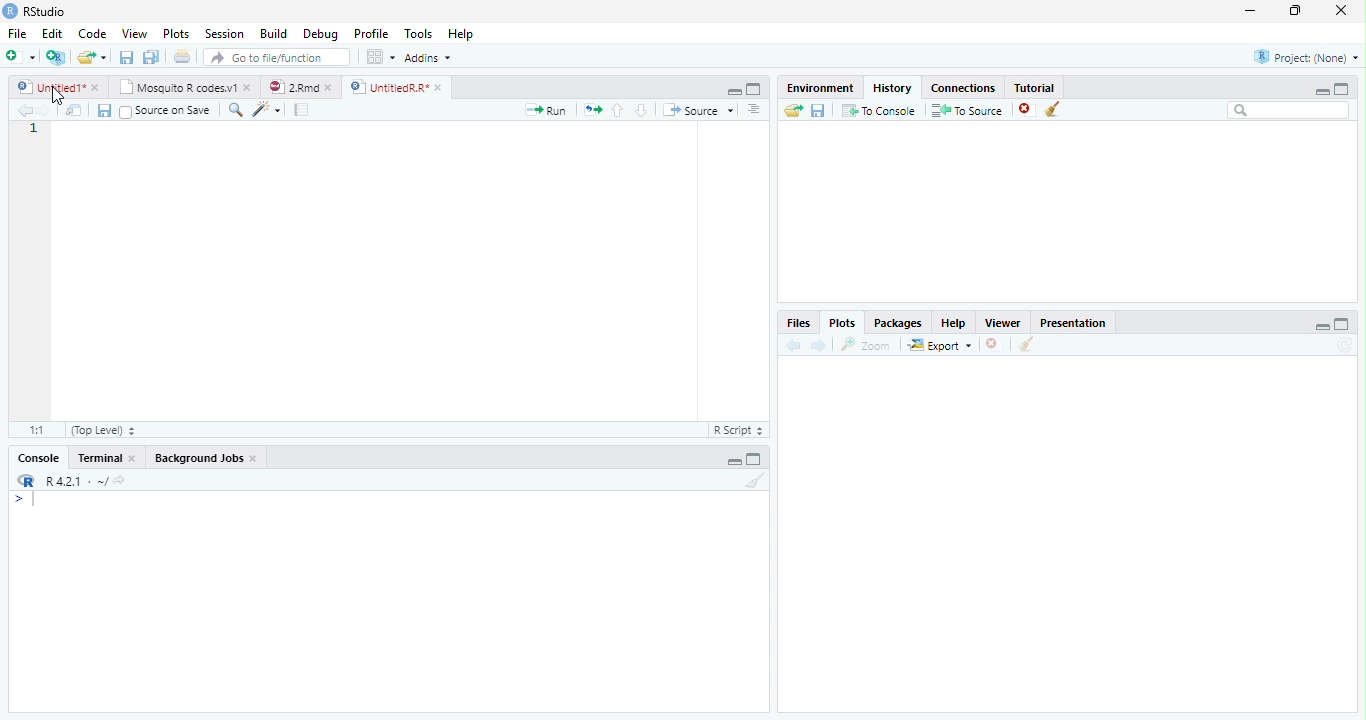 The height and width of the screenshot is (720, 1366). I want to click on Help, so click(460, 33).